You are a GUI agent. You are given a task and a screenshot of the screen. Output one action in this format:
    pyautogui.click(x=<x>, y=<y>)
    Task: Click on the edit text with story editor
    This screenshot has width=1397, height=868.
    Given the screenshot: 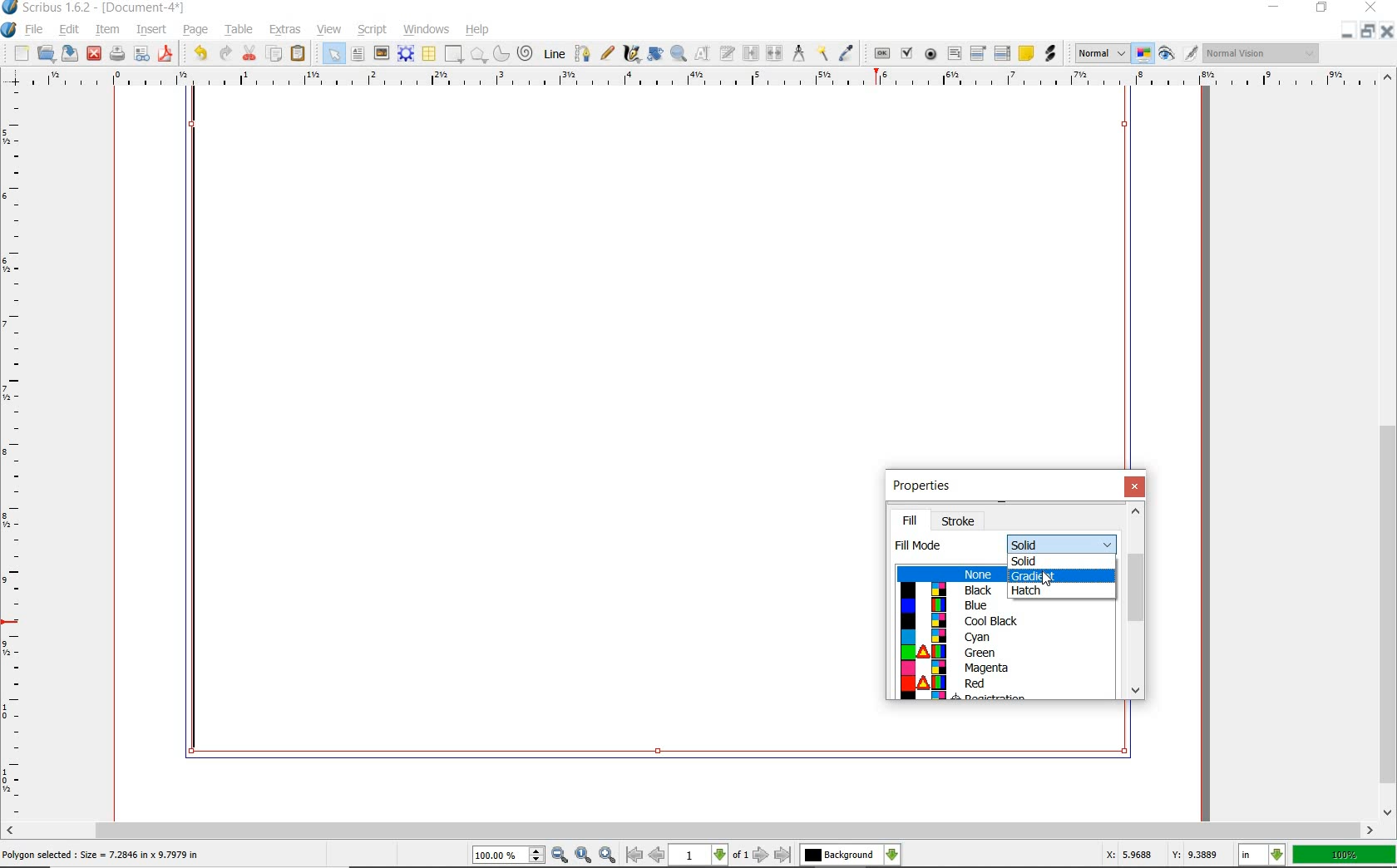 What is the action you would take?
    pyautogui.click(x=726, y=54)
    